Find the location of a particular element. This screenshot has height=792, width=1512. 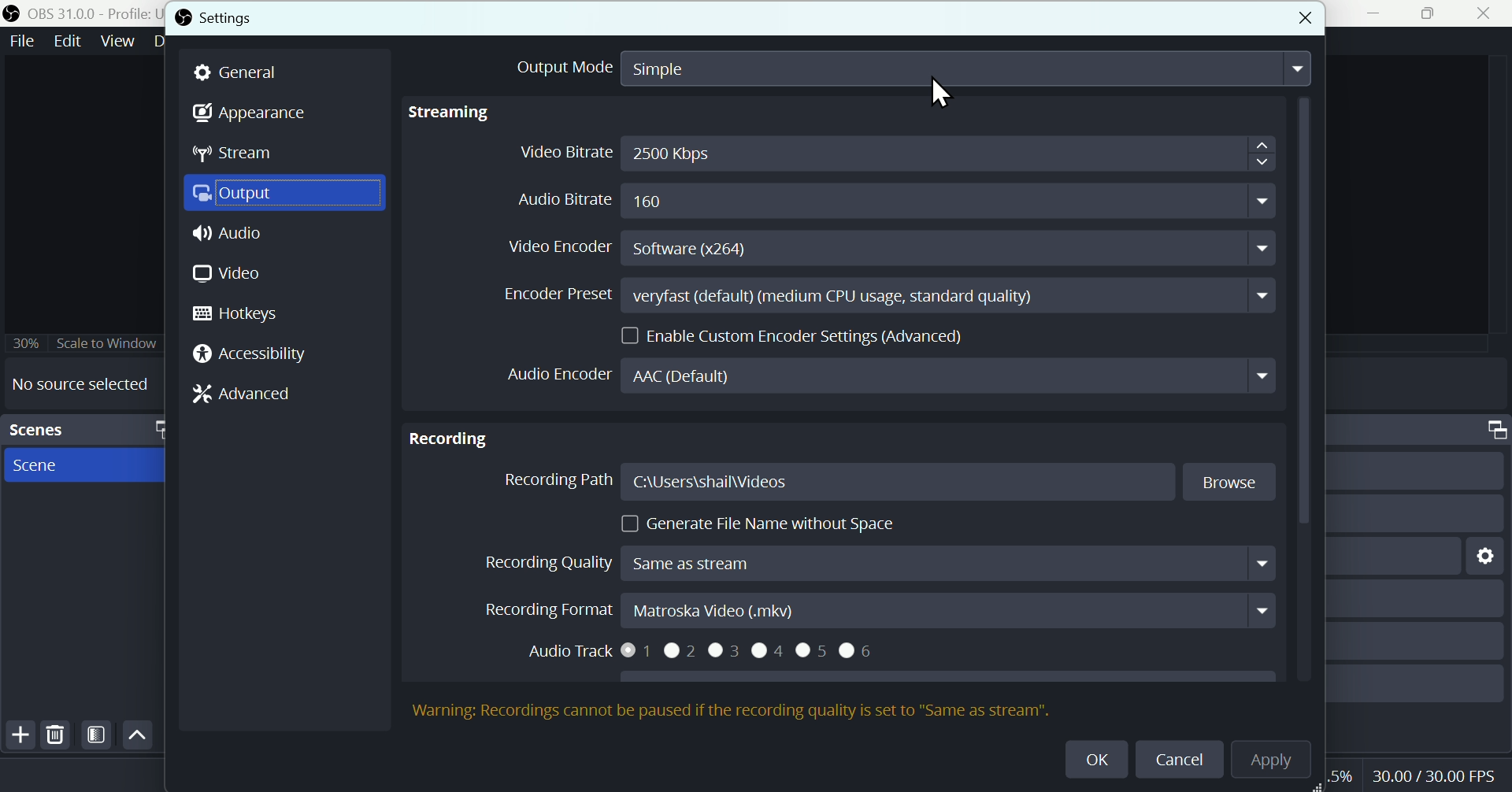

Maximise is located at coordinates (1430, 13).